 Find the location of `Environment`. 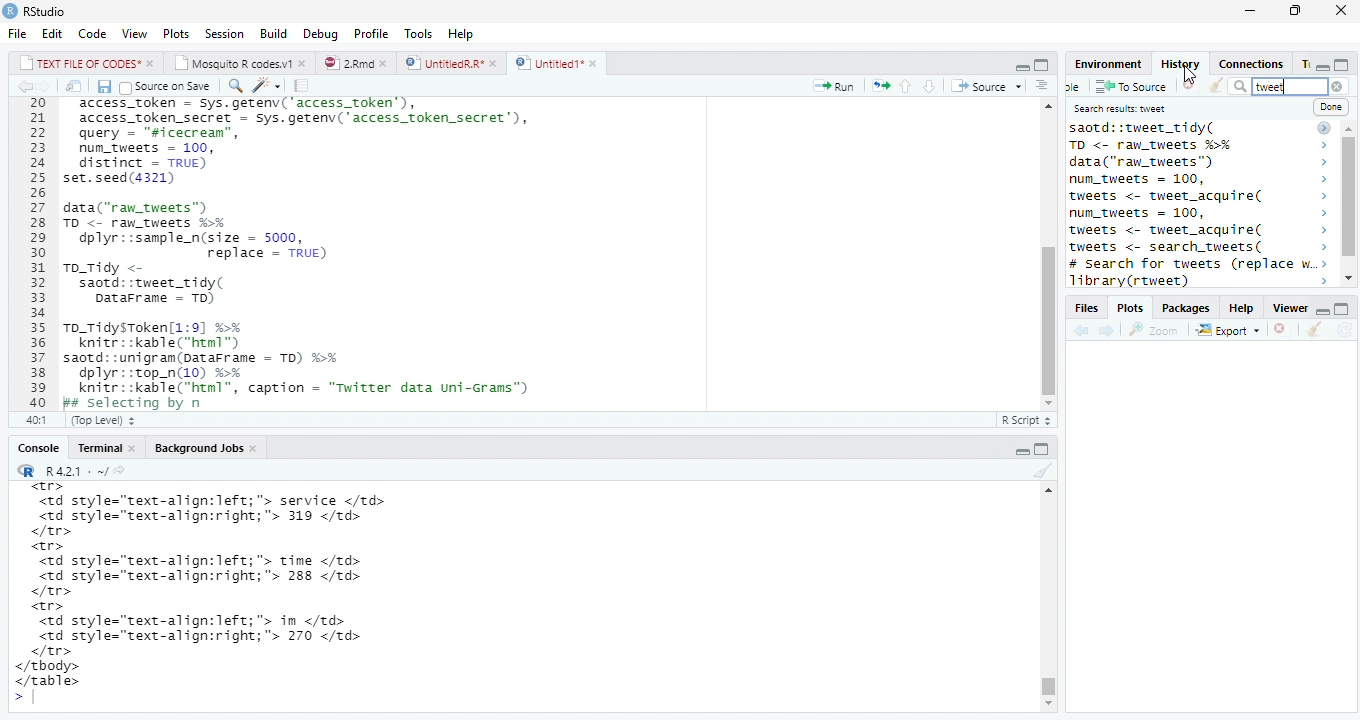

Environment is located at coordinates (1110, 63).